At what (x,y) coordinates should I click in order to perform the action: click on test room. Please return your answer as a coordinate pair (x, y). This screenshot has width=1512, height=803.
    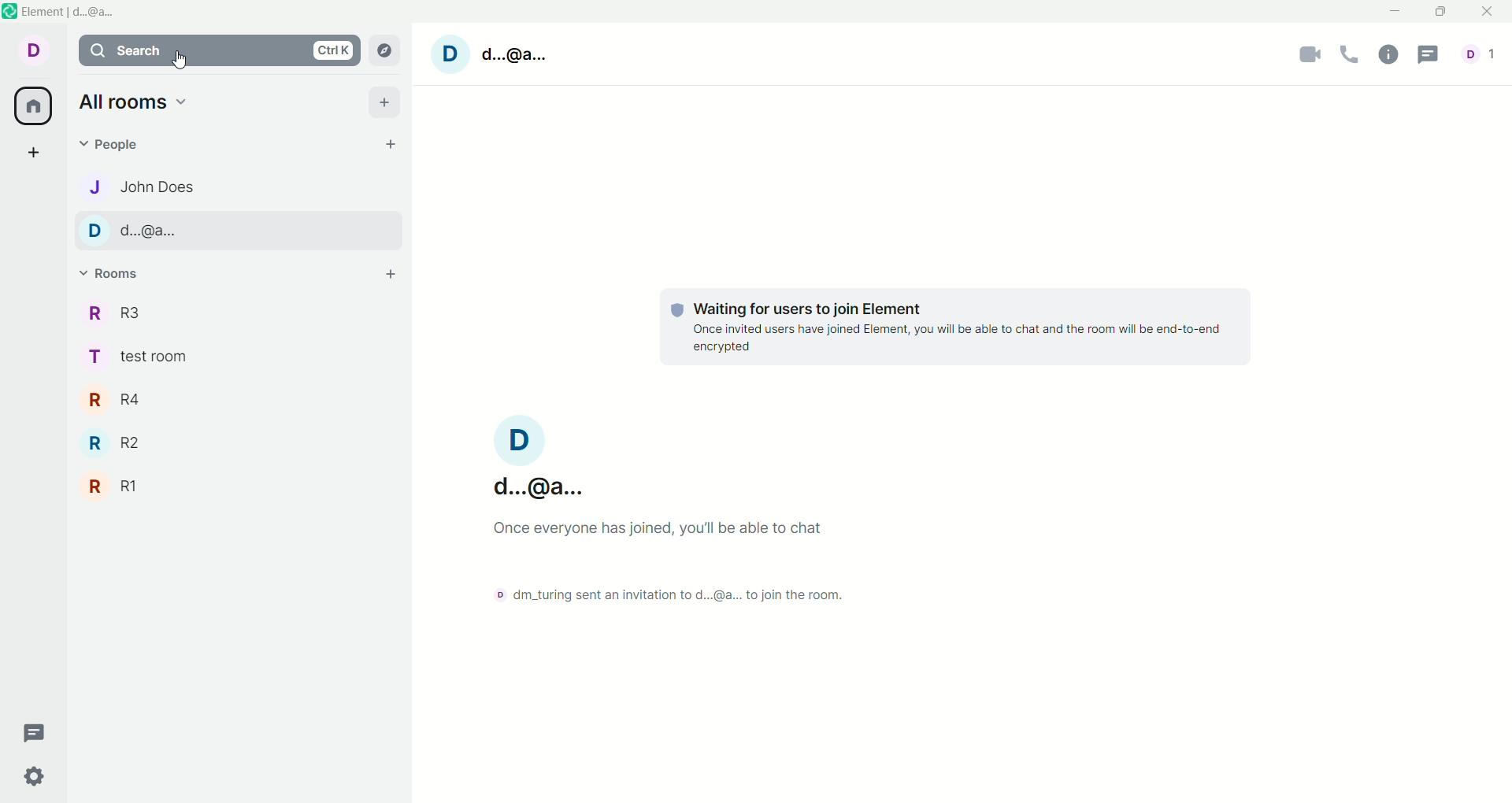
    Looking at the image, I should click on (240, 357).